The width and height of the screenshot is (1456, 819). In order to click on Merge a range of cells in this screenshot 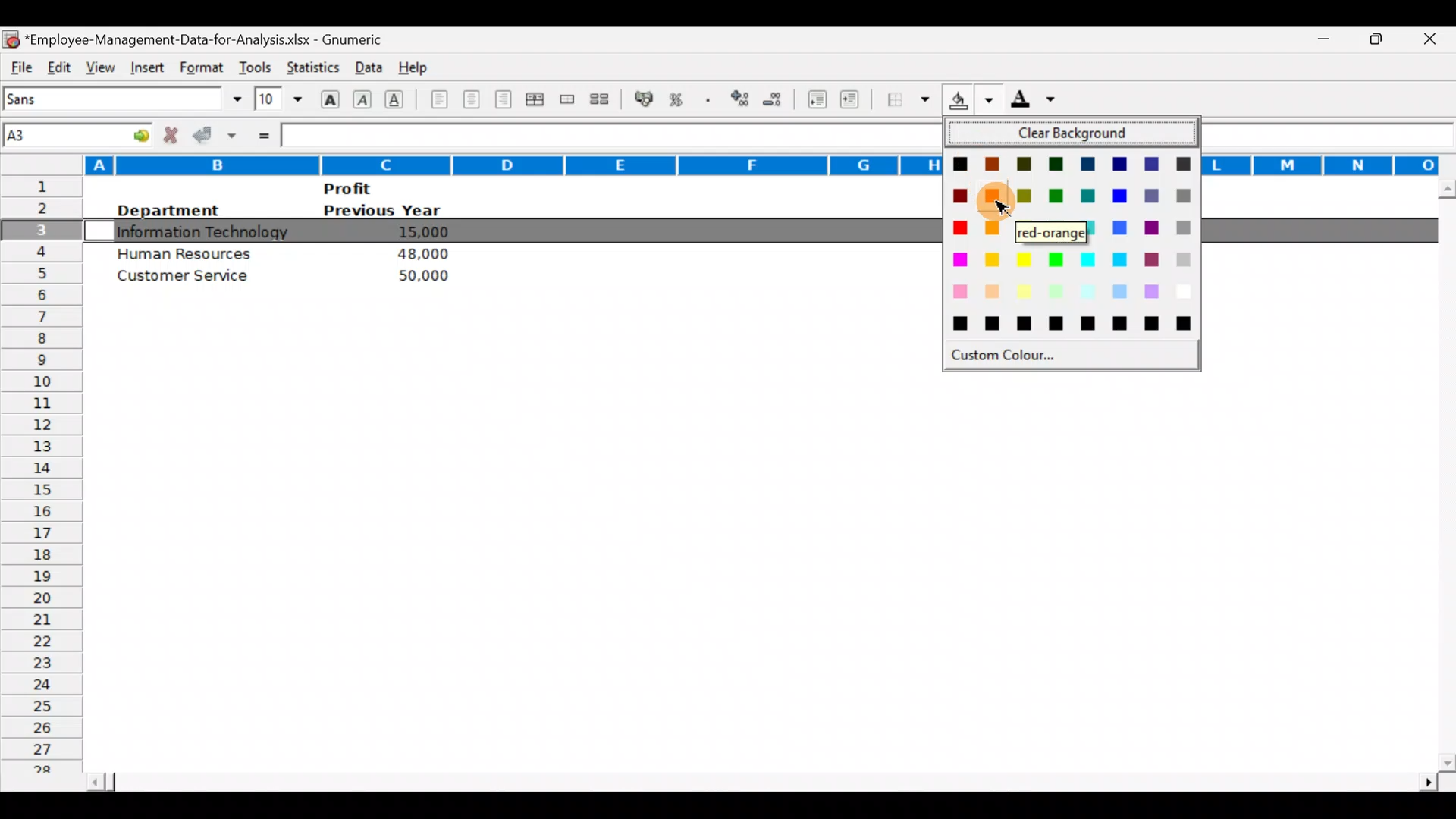, I will do `click(566, 101)`.